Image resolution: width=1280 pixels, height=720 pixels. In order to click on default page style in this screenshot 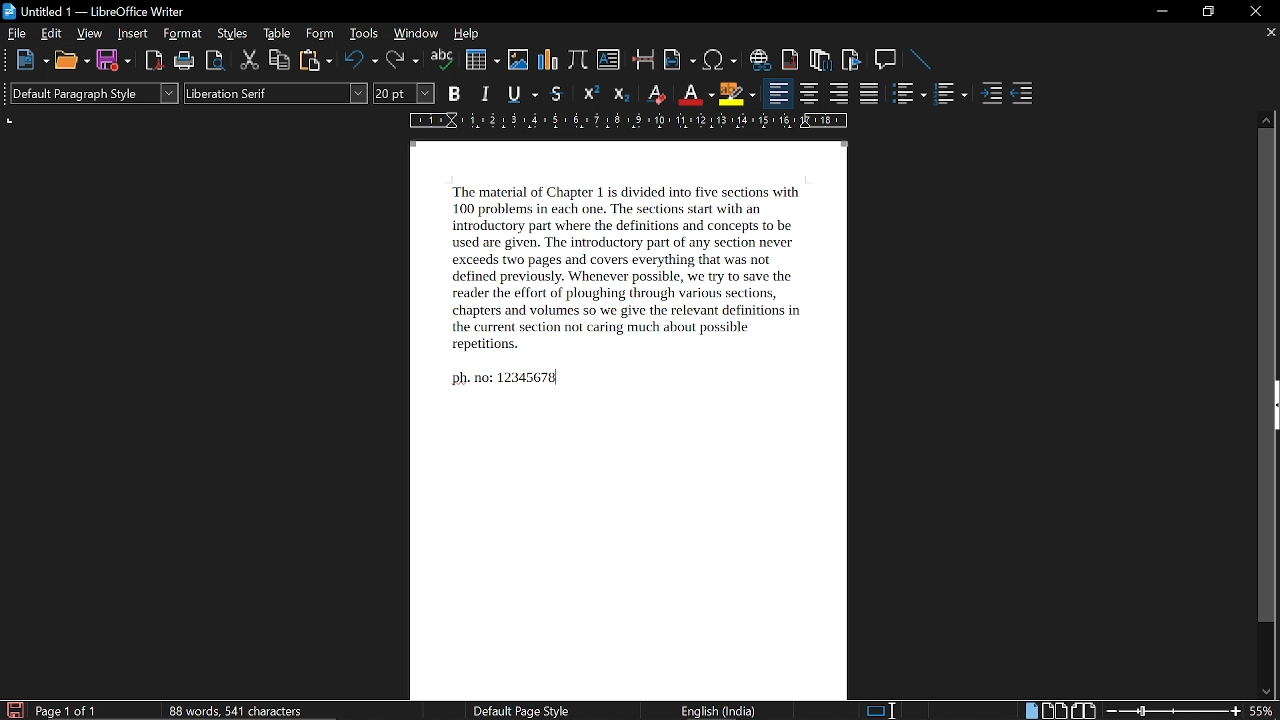, I will do `click(522, 711)`.